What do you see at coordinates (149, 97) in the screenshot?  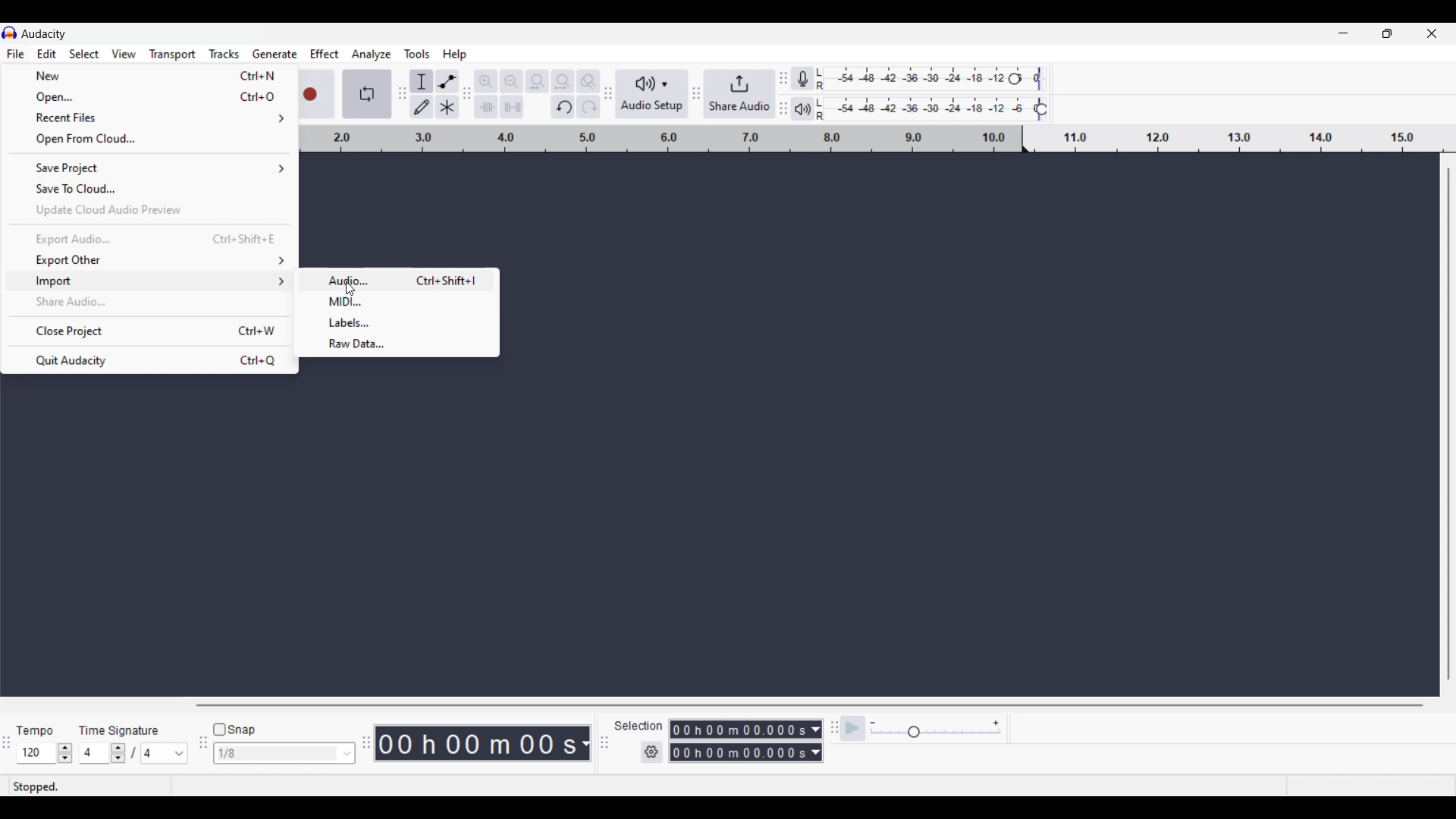 I see `Open   Ctrl+ O` at bounding box center [149, 97].